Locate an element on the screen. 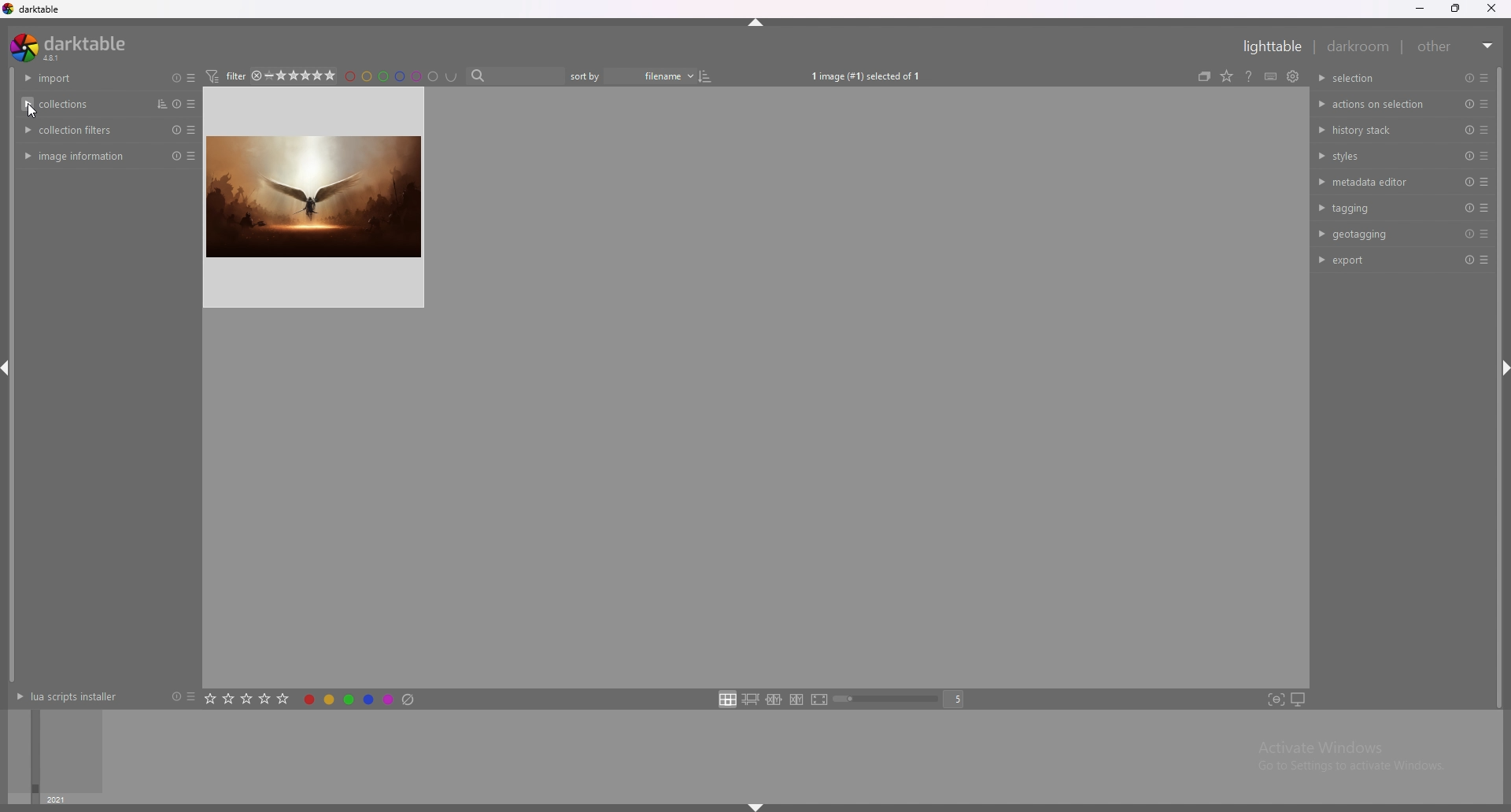 The width and height of the screenshot is (1511, 812). 1 image selected is located at coordinates (872, 76).